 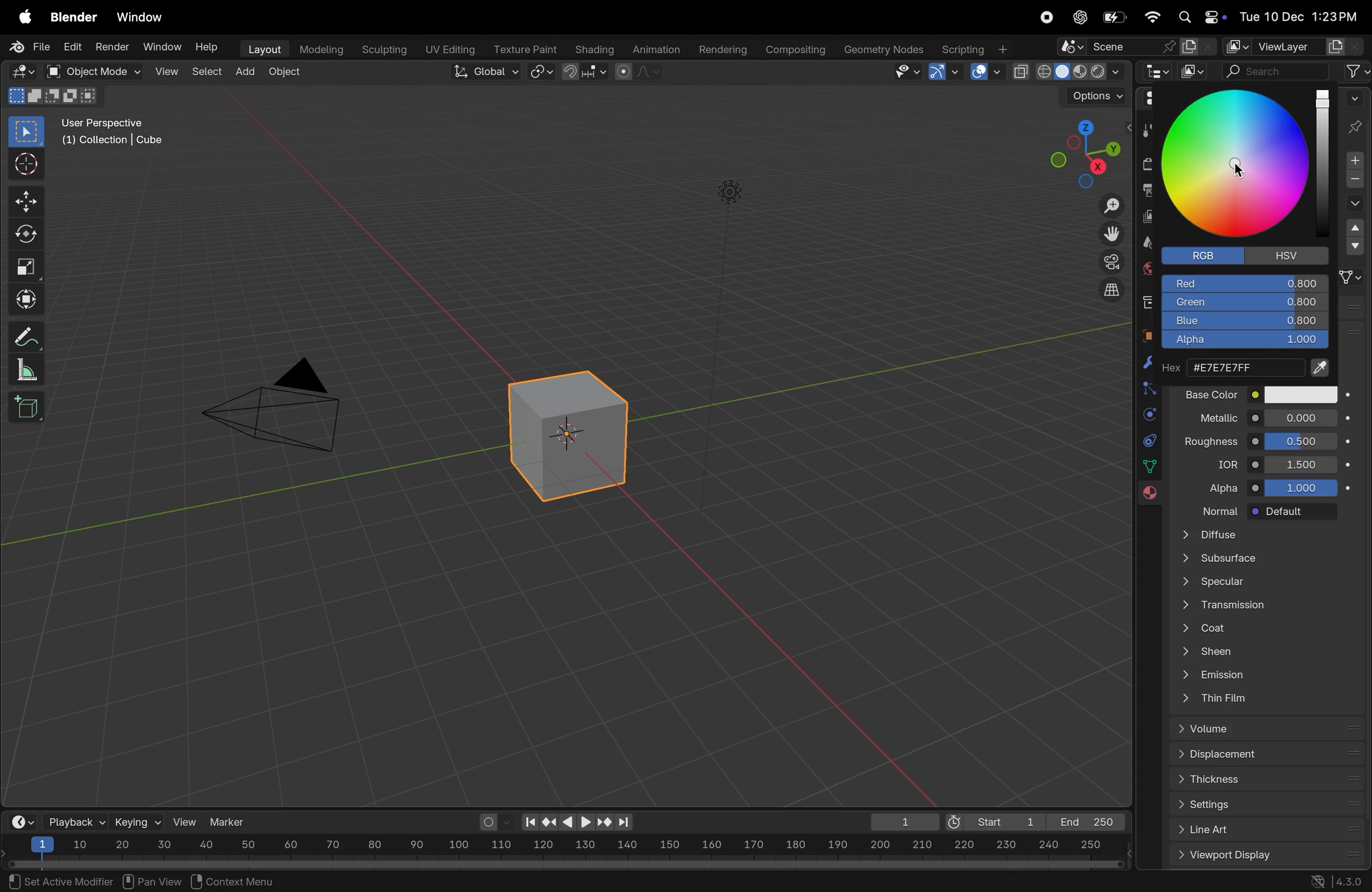 I want to click on Composting, so click(x=796, y=50).